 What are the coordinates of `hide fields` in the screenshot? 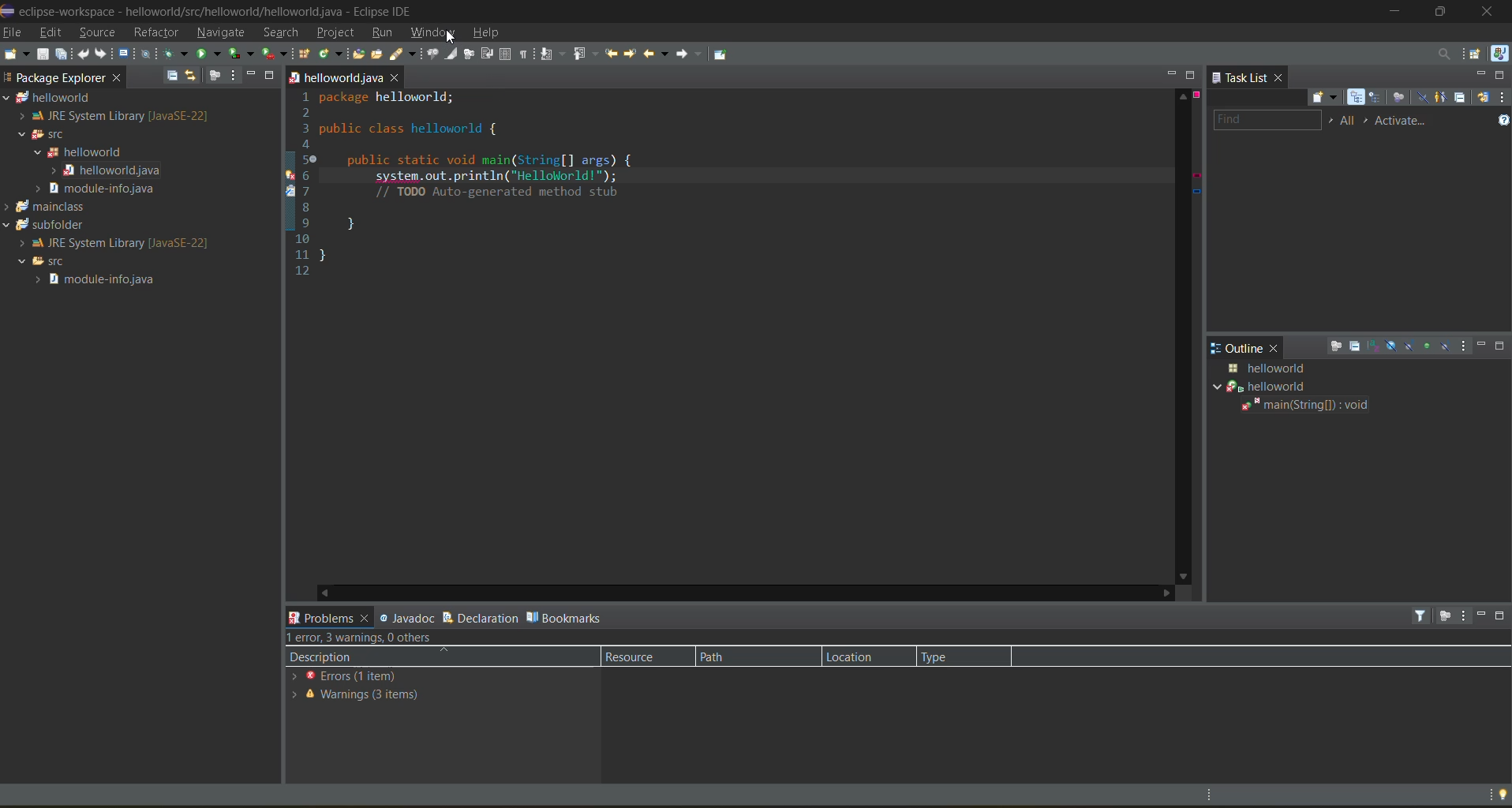 It's located at (1396, 347).